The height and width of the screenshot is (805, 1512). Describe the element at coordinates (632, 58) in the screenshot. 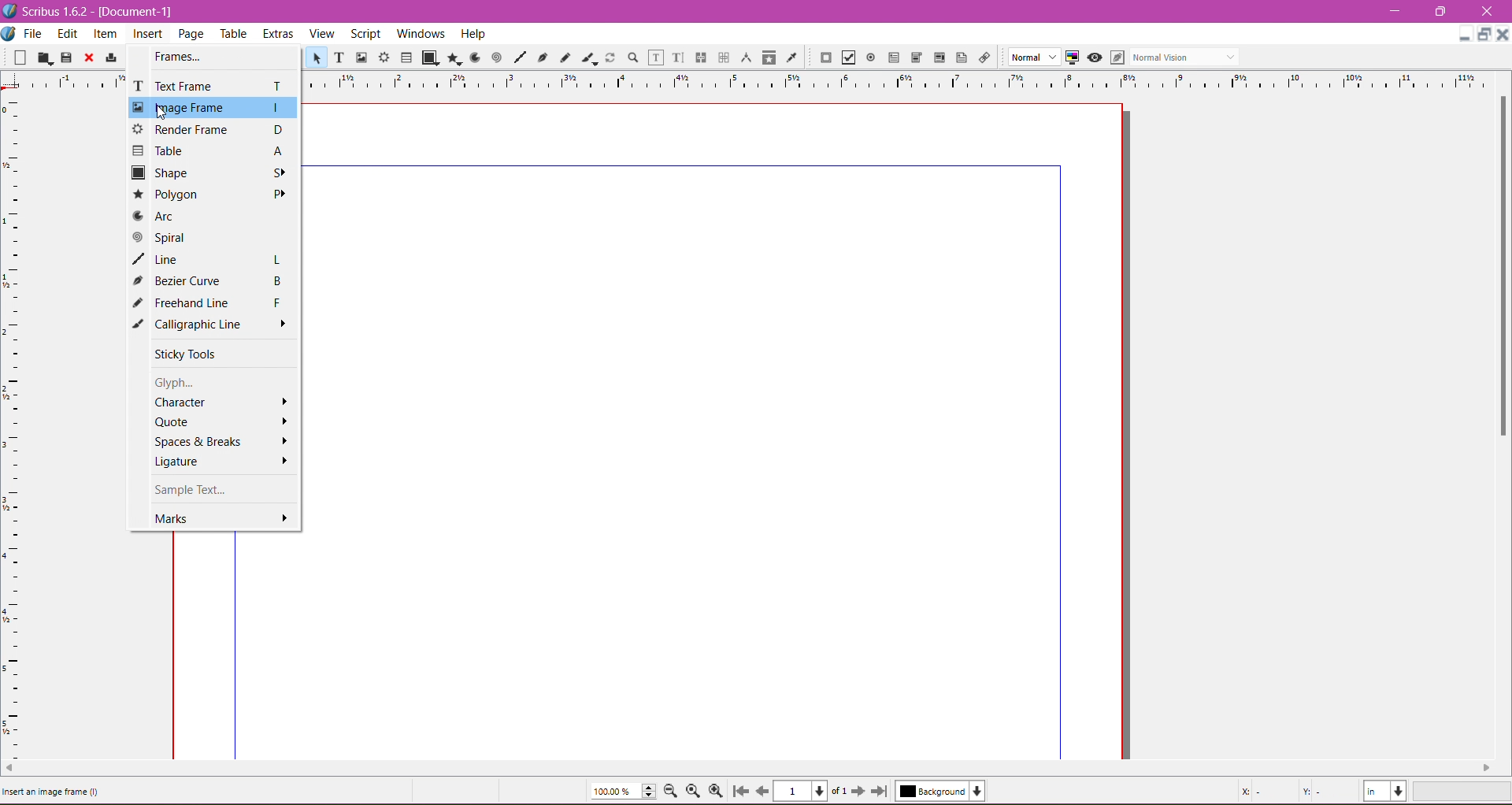

I see `Zoom and Pan` at that location.